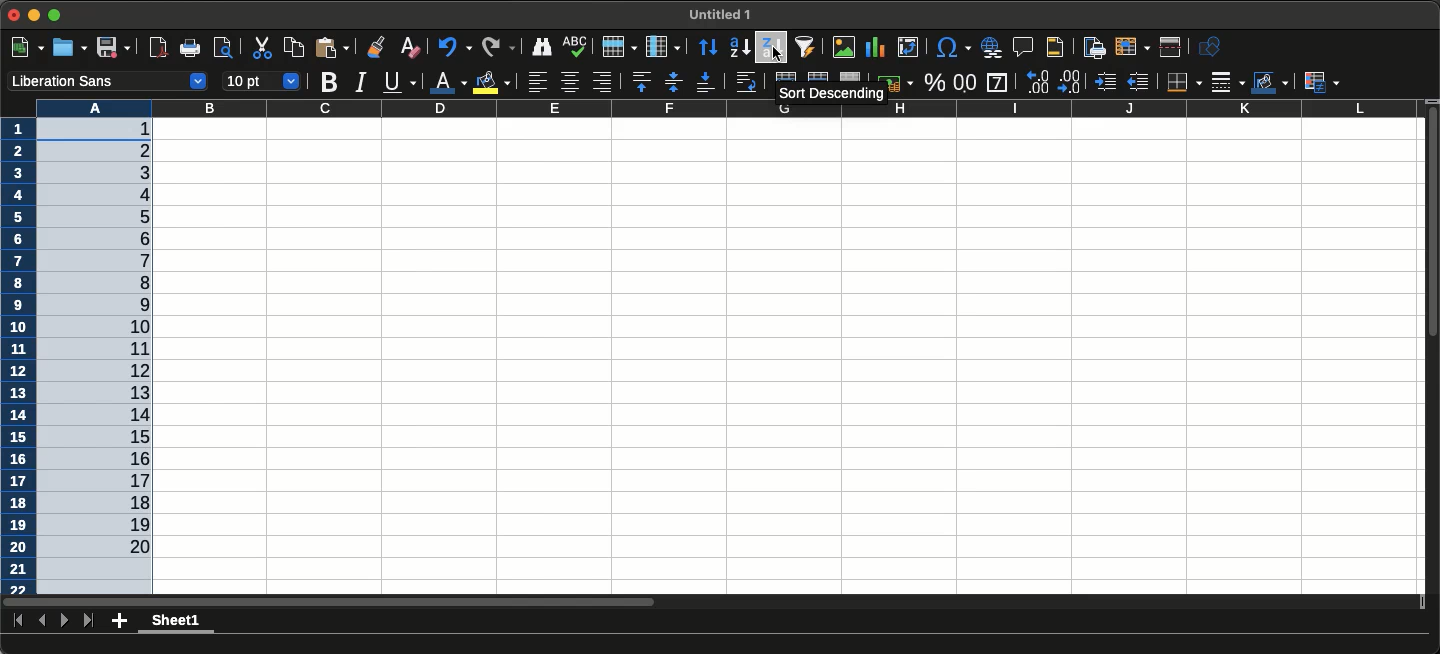 The width and height of the screenshot is (1440, 654). Describe the element at coordinates (497, 45) in the screenshot. I see `Redo` at that location.